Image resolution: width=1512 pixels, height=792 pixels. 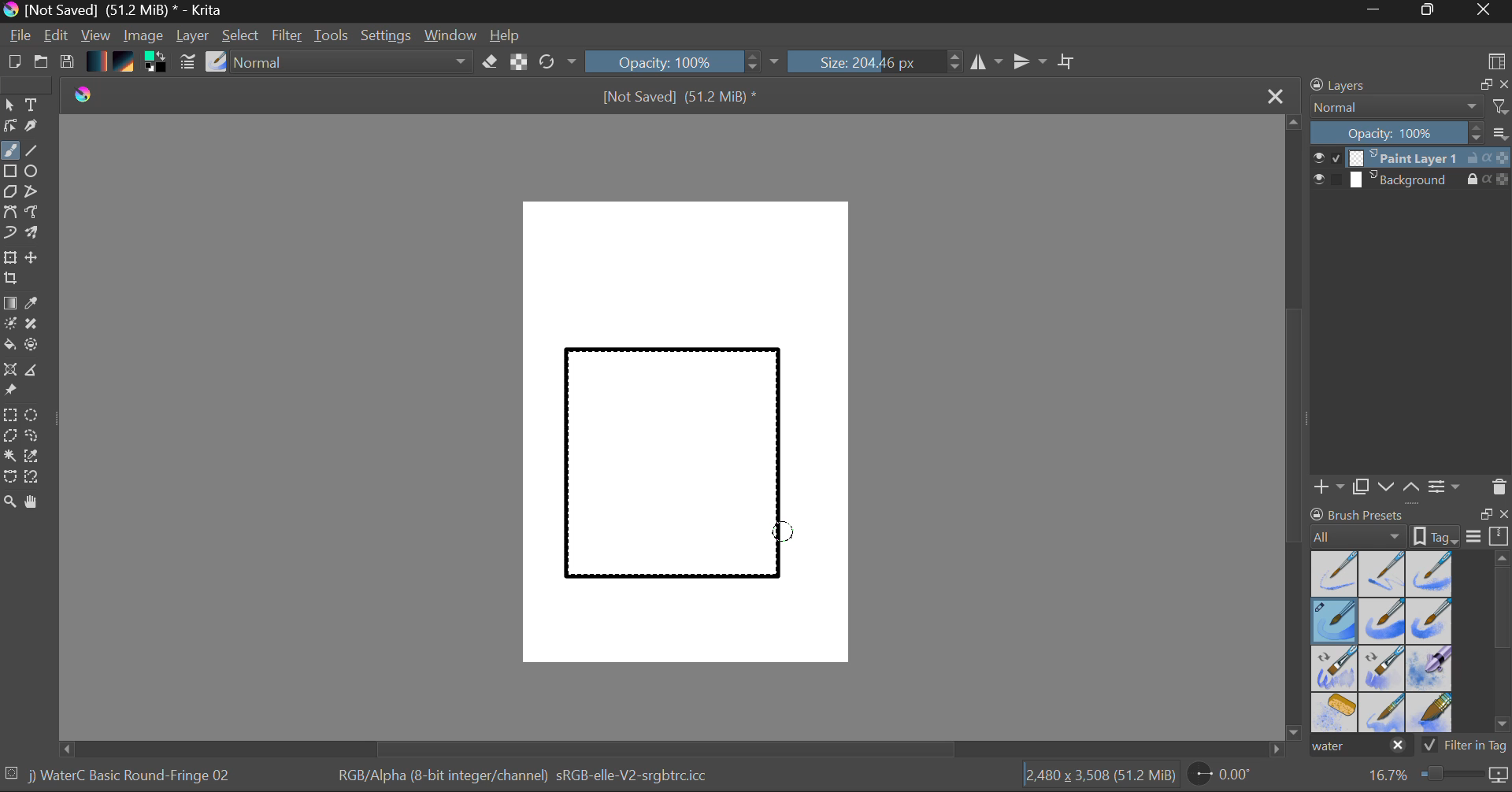 What do you see at coordinates (1359, 749) in the screenshot?
I see `"water" search in brush presets` at bounding box center [1359, 749].